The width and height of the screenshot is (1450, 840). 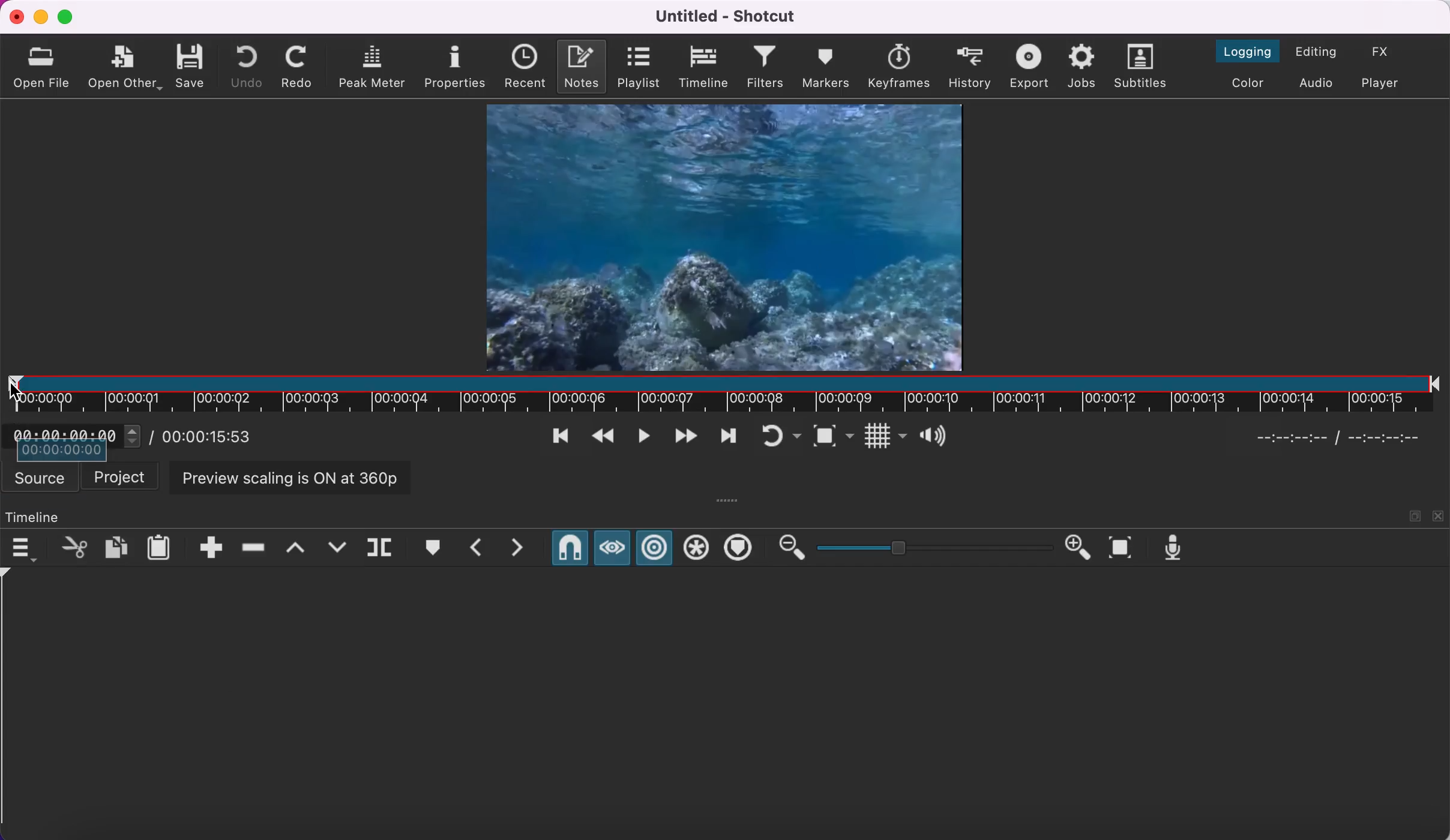 I want to click on open file, so click(x=44, y=64).